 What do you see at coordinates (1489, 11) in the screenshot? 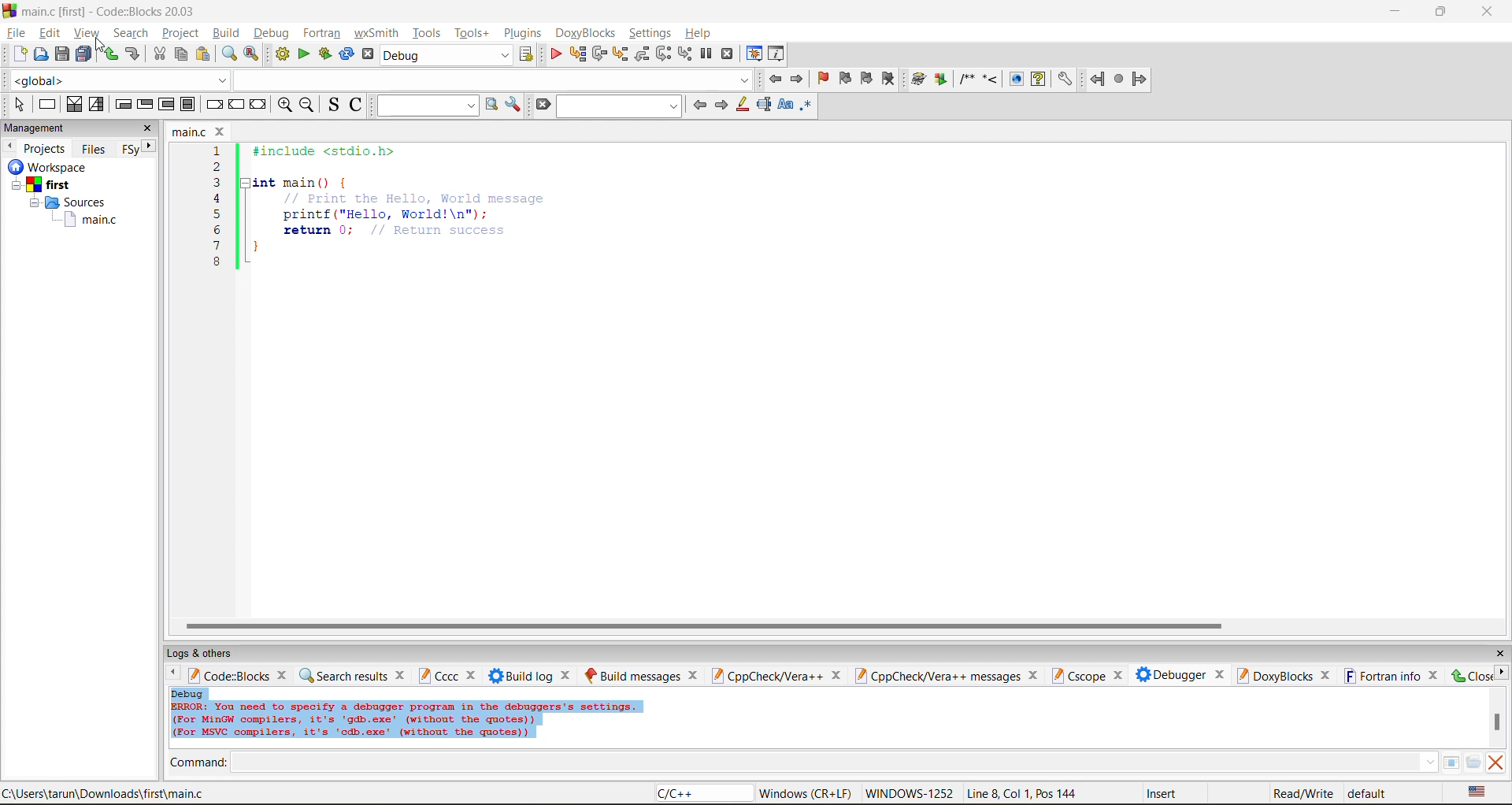
I see `close` at bounding box center [1489, 11].